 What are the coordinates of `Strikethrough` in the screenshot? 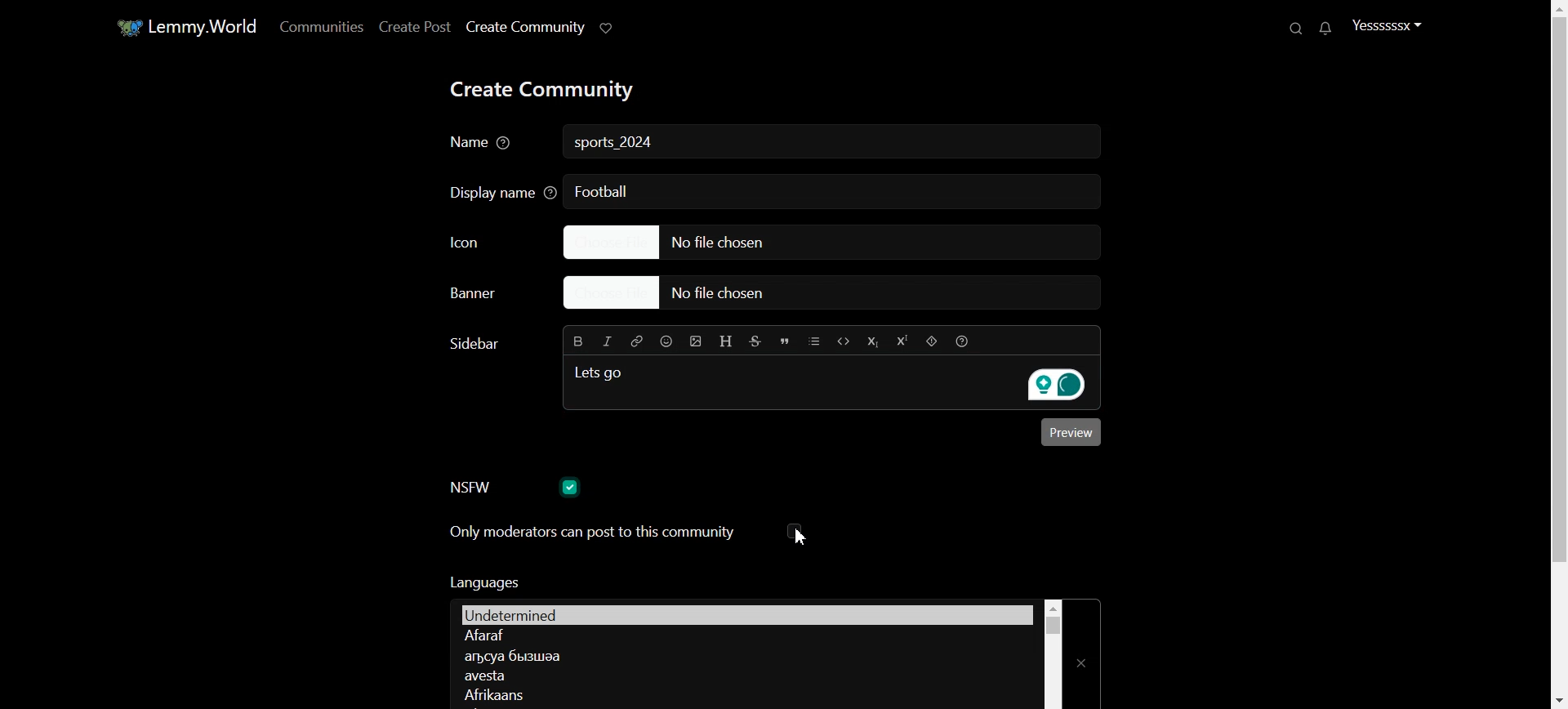 It's located at (756, 341).